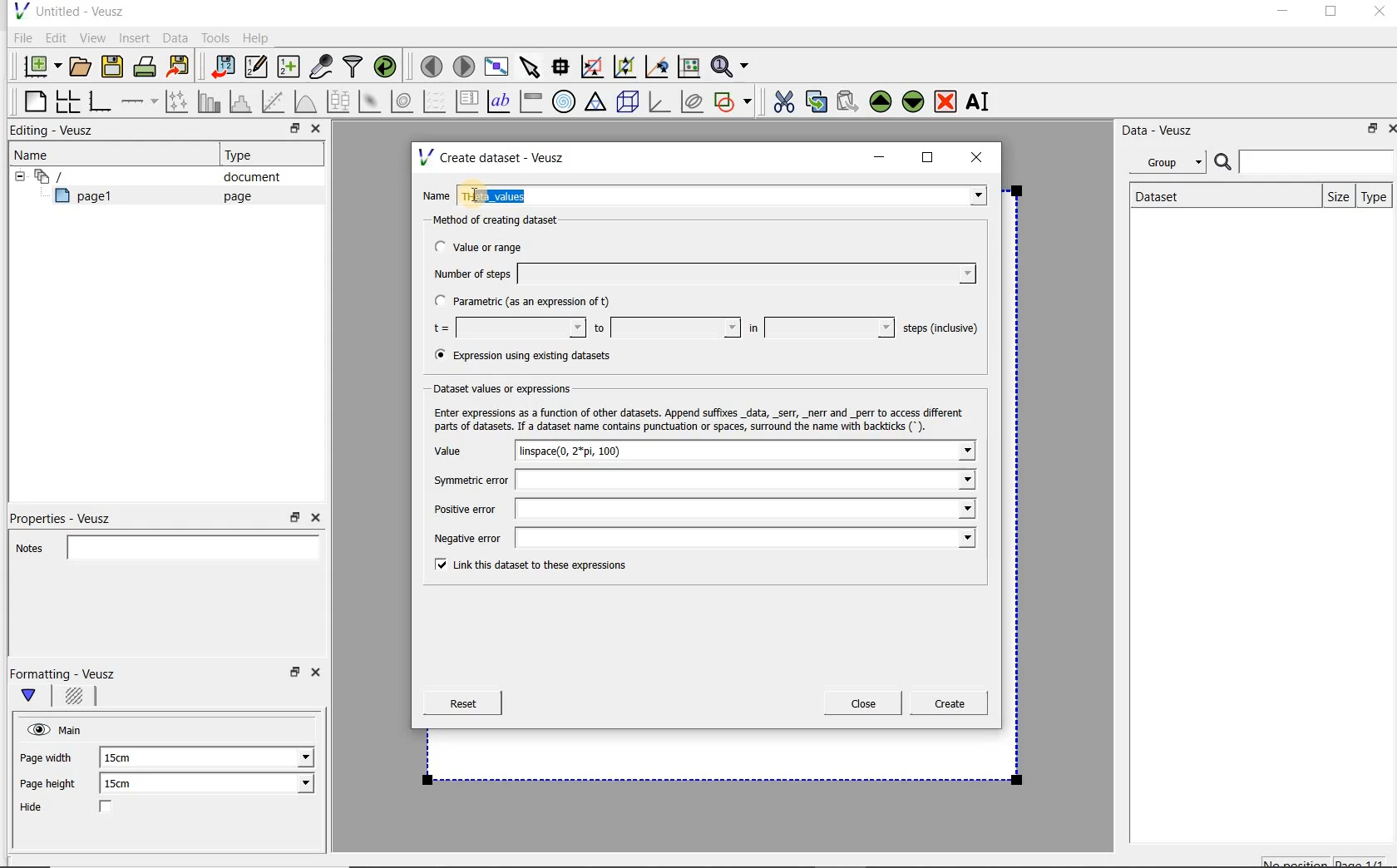  I want to click on plot a function, so click(304, 101).